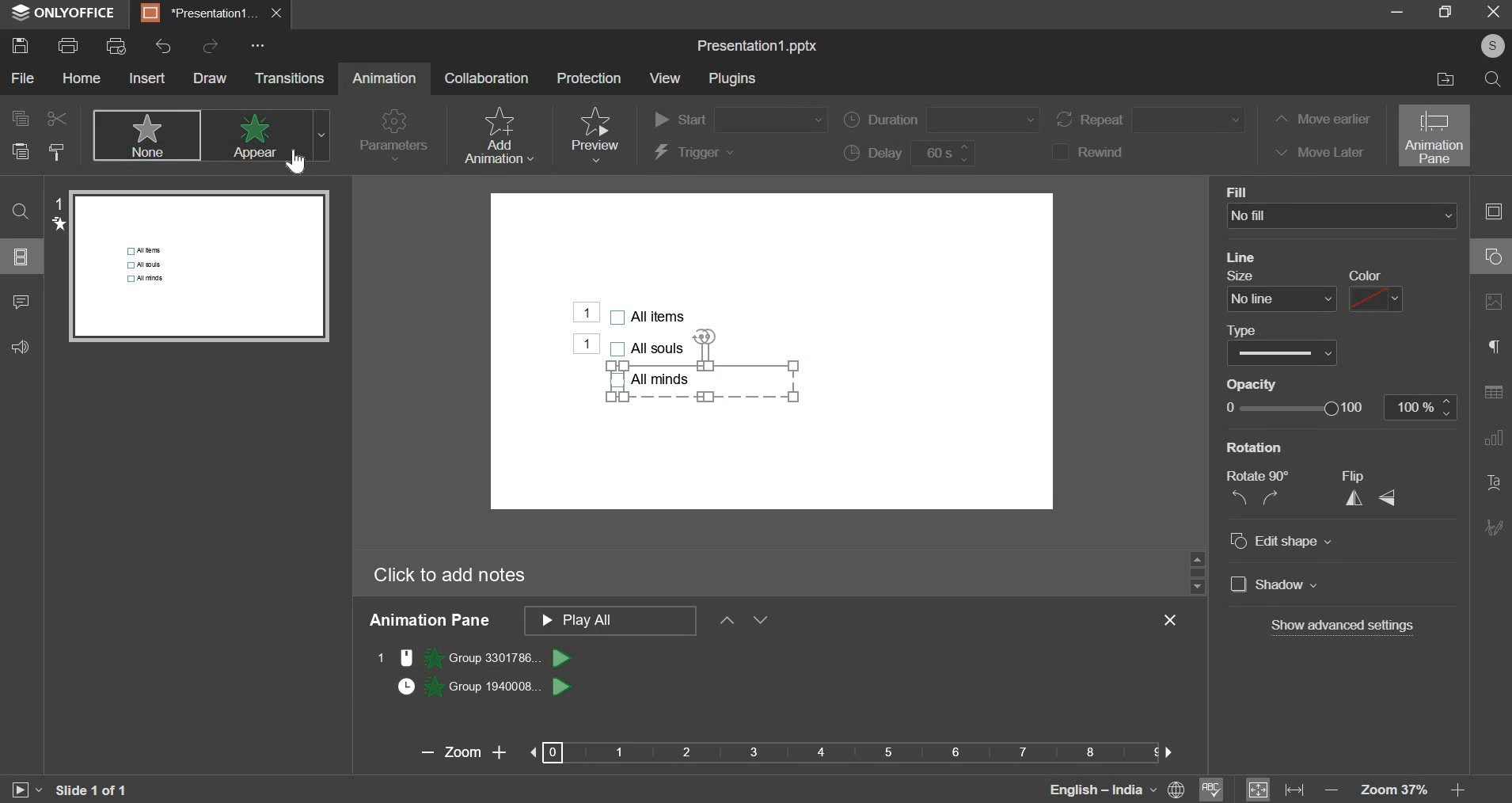 The image size is (1512, 803). What do you see at coordinates (1344, 215) in the screenshot?
I see `background fill` at bounding box center [1344, 215].